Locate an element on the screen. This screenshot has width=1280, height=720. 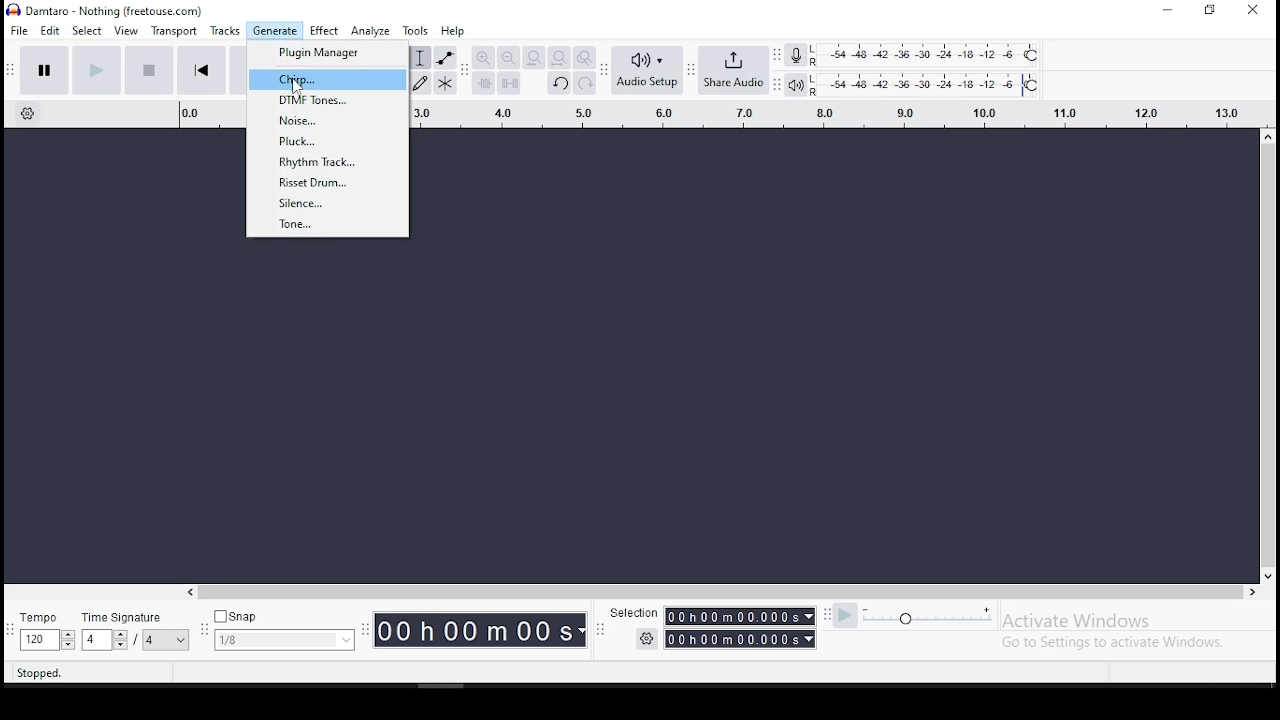
cursor is located at coordinates (300, 90).